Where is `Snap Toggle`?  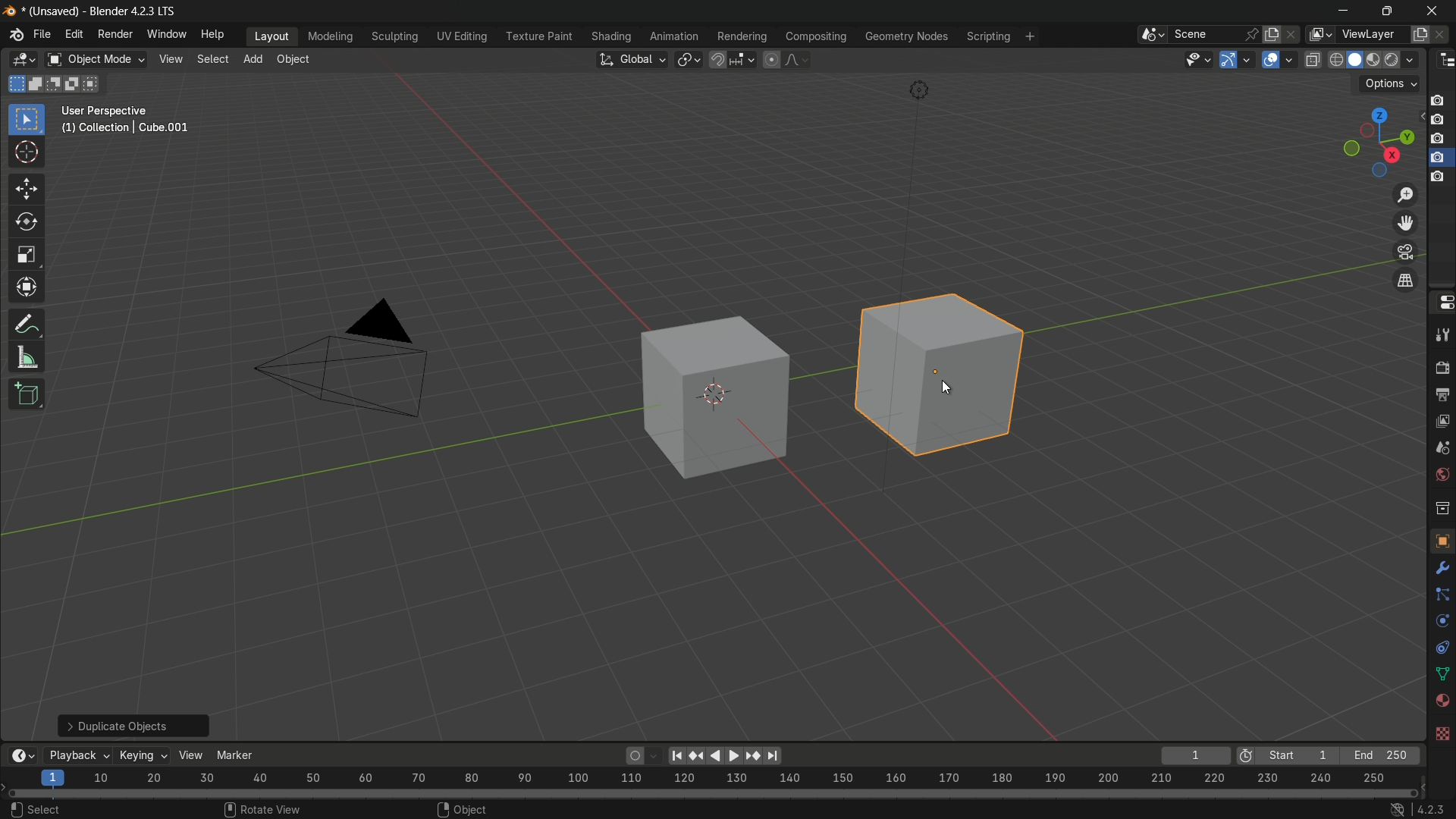 Snap Toggle is located at coordinates (585, 808).